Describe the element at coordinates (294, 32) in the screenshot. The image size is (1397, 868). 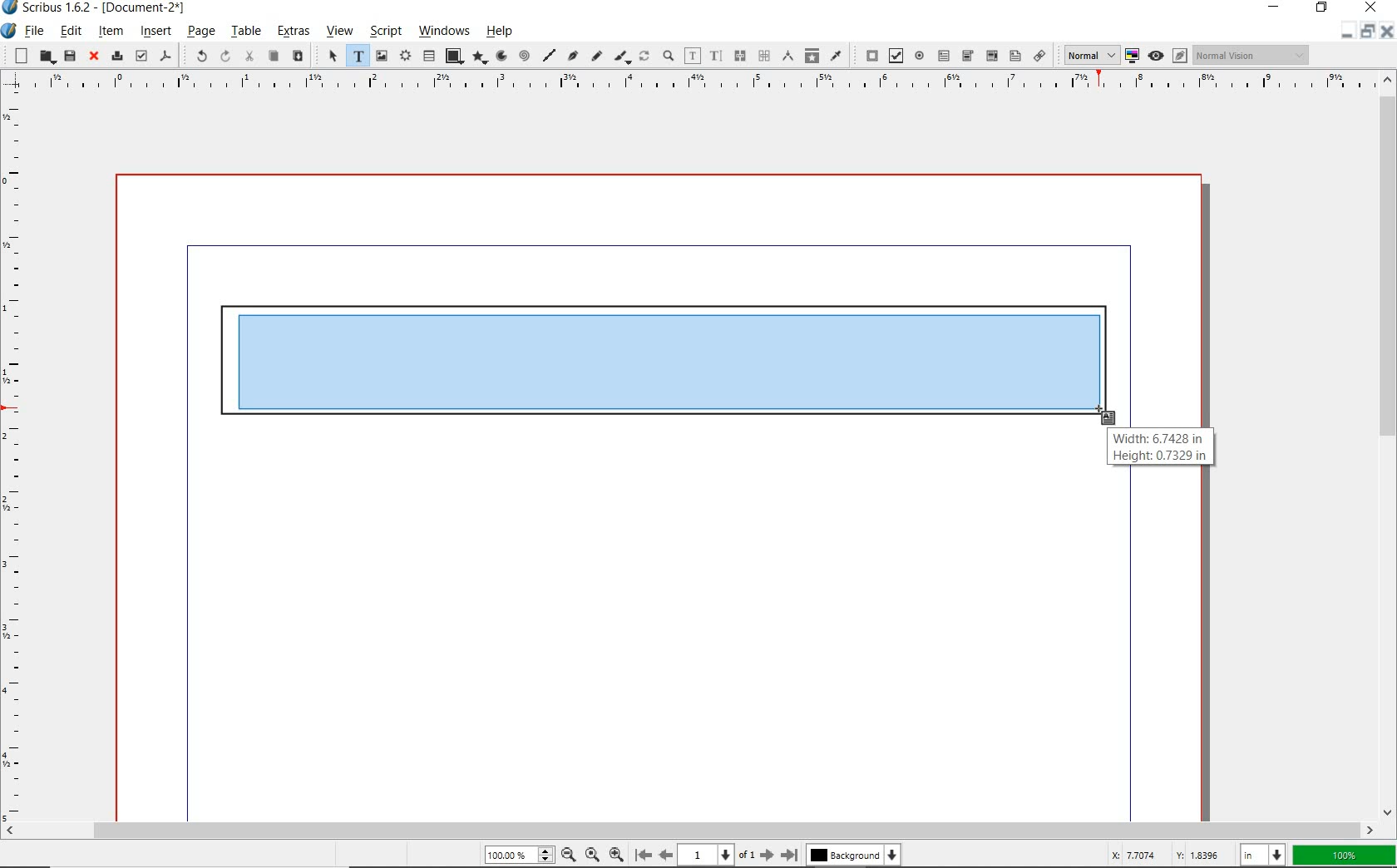
I see `extras` at that location.